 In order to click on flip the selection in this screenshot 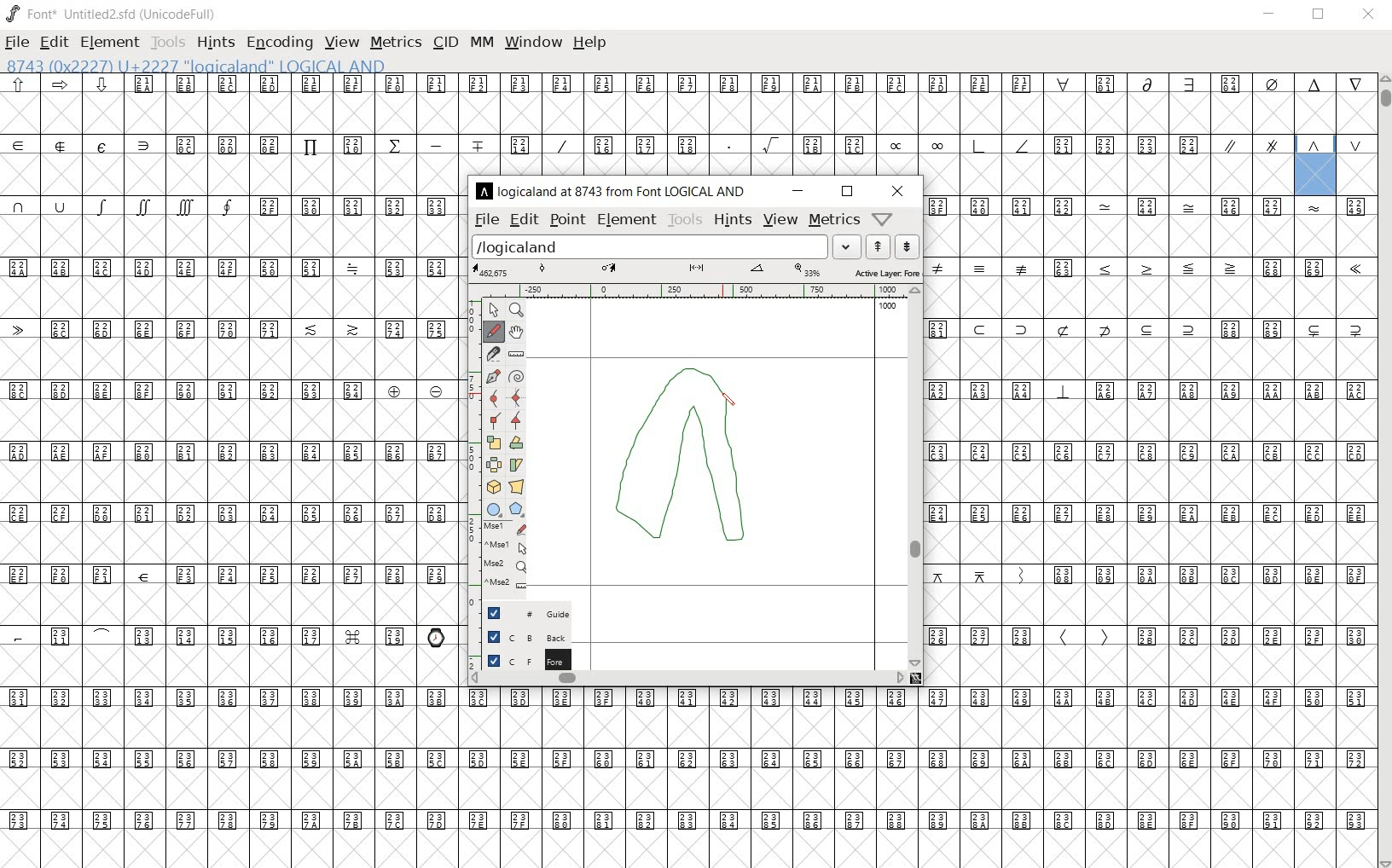, I will do `click(494, 465)`.